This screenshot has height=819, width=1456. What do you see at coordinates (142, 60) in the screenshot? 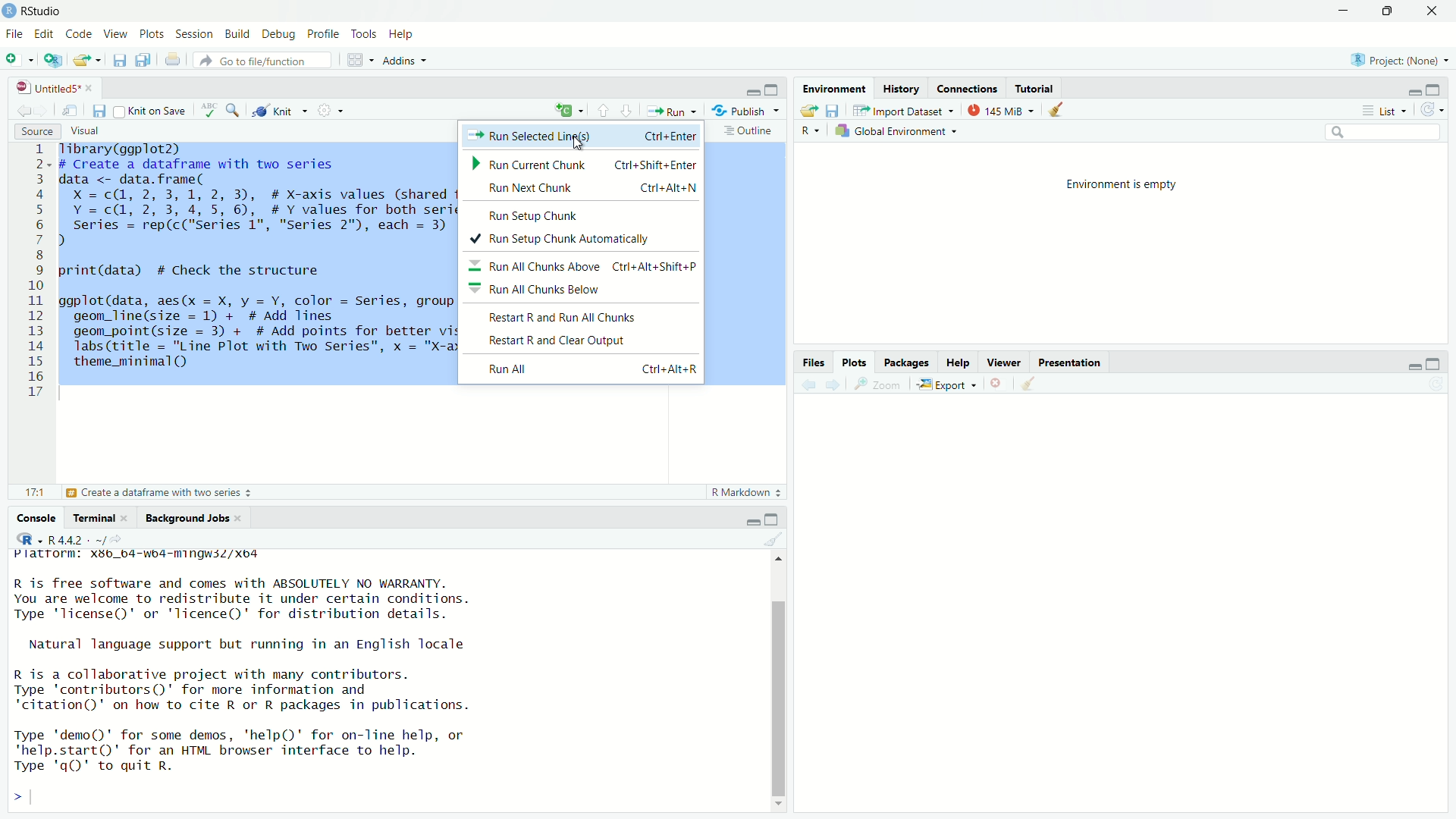
I see `save all documents` at bounding box center [142, 60].